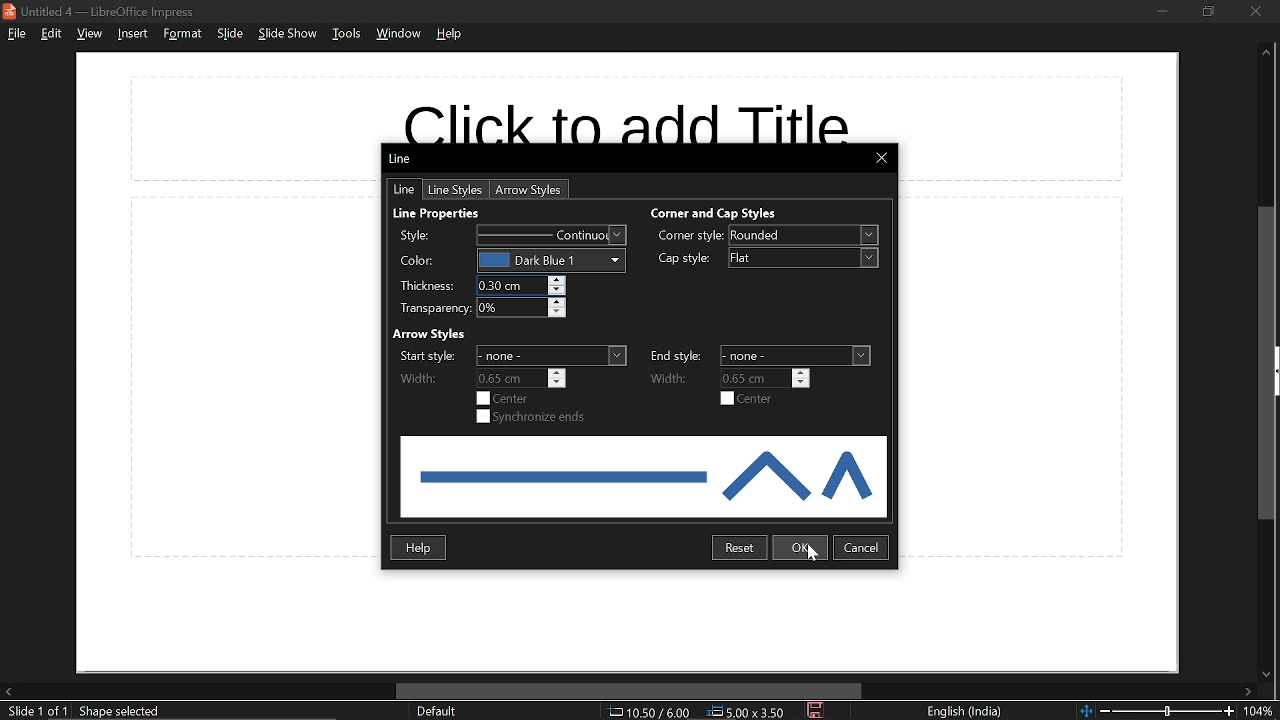 This screenshot has width=1280, height=720. Describe the element at coordinates (1269, 363) in the screenshot. I see `vertical scrollbar` at that location.